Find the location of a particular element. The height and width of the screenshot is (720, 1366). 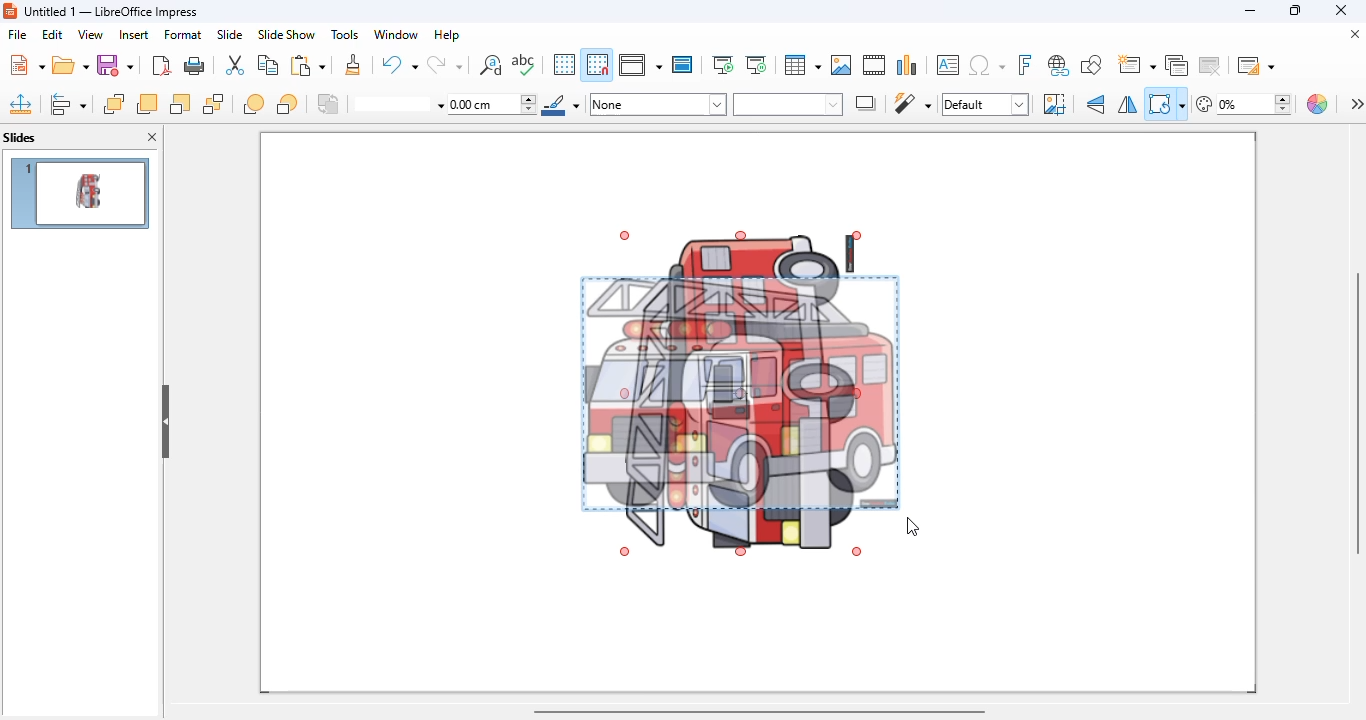

display views is located at coordinates (641, 64).